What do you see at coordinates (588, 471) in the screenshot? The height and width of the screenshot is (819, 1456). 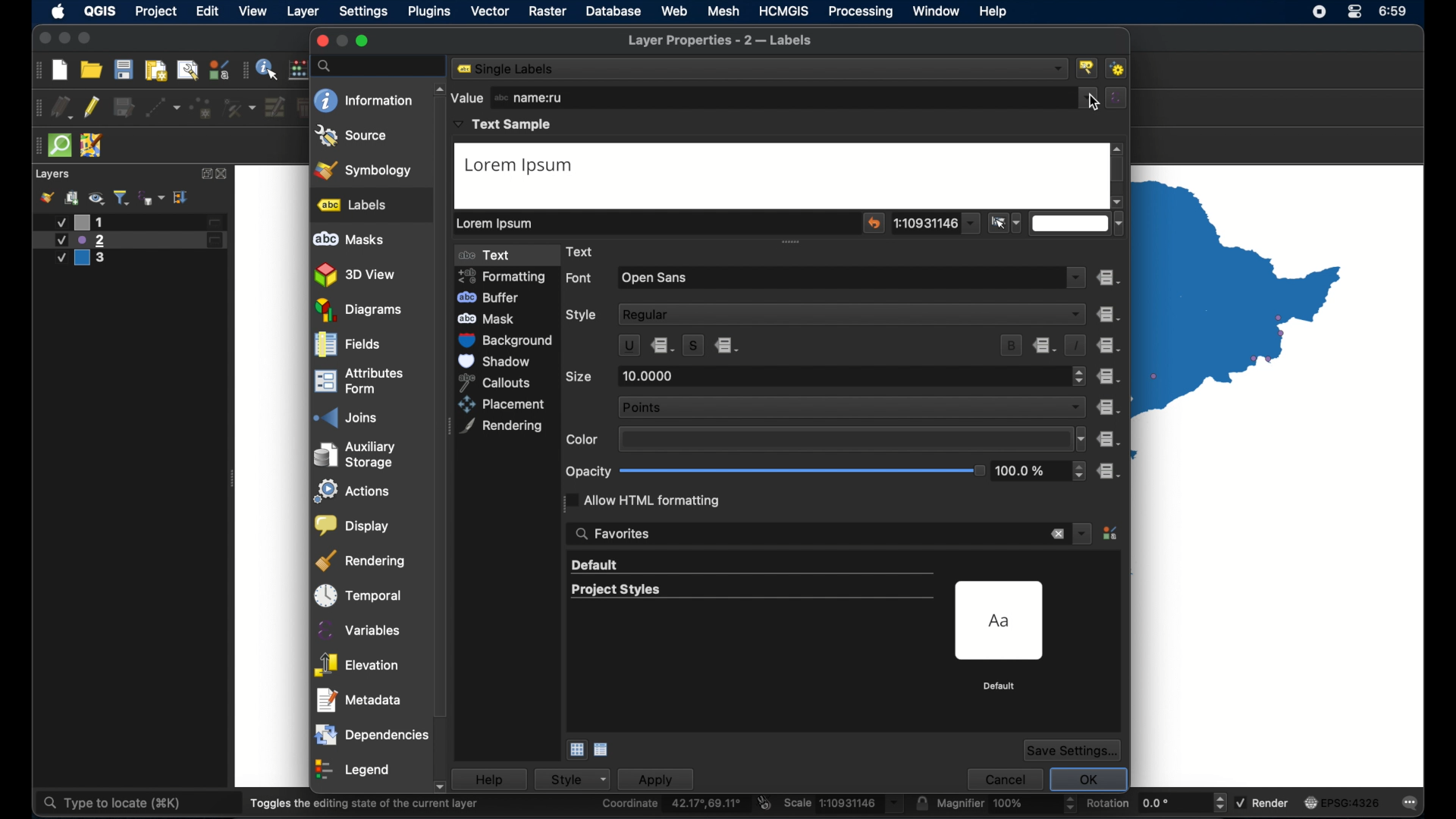 I see `opacity` at bounding box center [588, 471].